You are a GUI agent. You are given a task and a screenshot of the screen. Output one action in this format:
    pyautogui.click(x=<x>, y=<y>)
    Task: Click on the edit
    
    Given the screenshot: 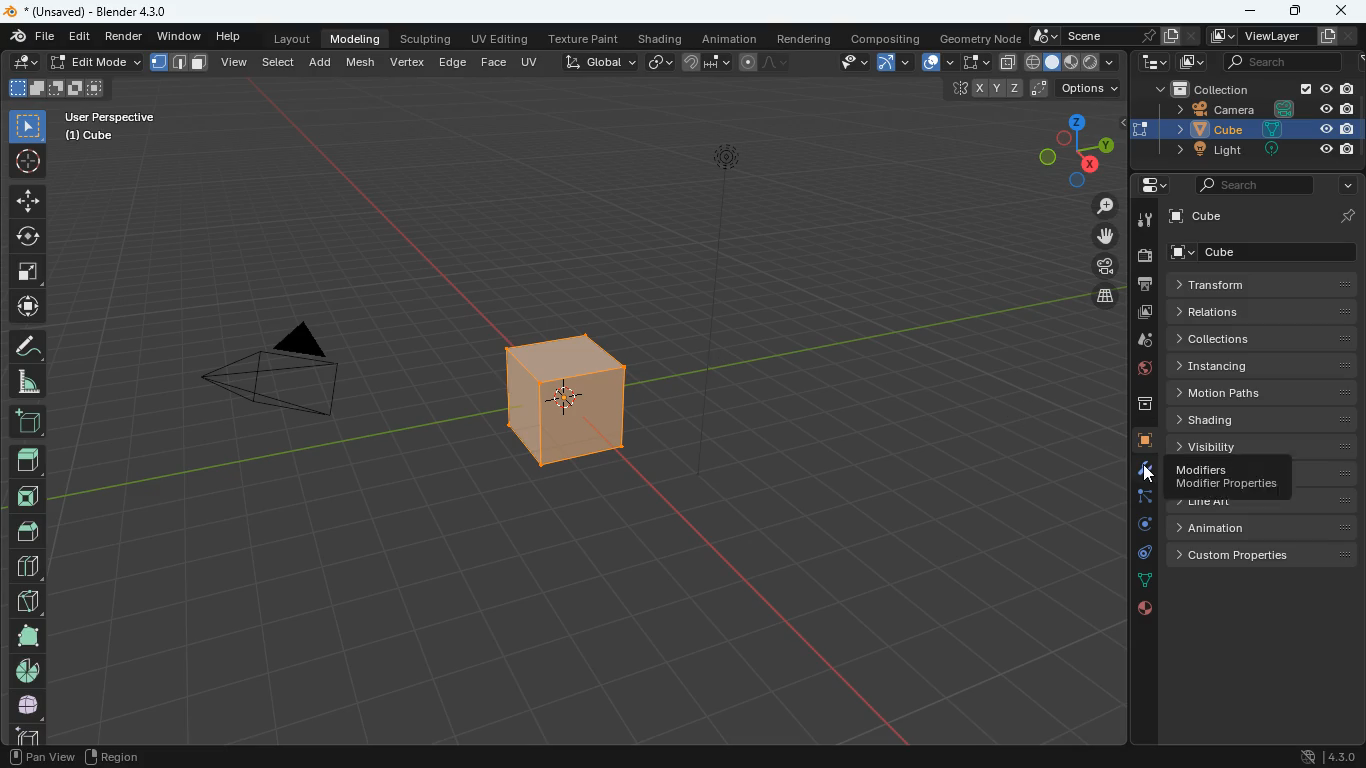 What is the action you would take?
    pyautogui.click(x=79, y=36)
    